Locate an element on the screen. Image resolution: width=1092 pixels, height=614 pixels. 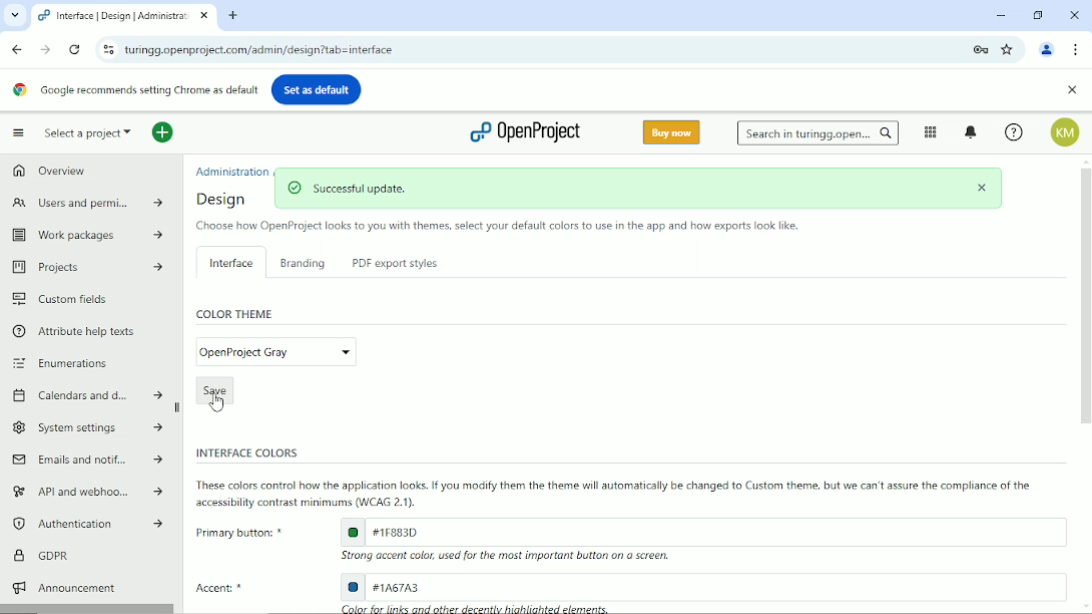
Set as default  is located at coordinates (317, 88).